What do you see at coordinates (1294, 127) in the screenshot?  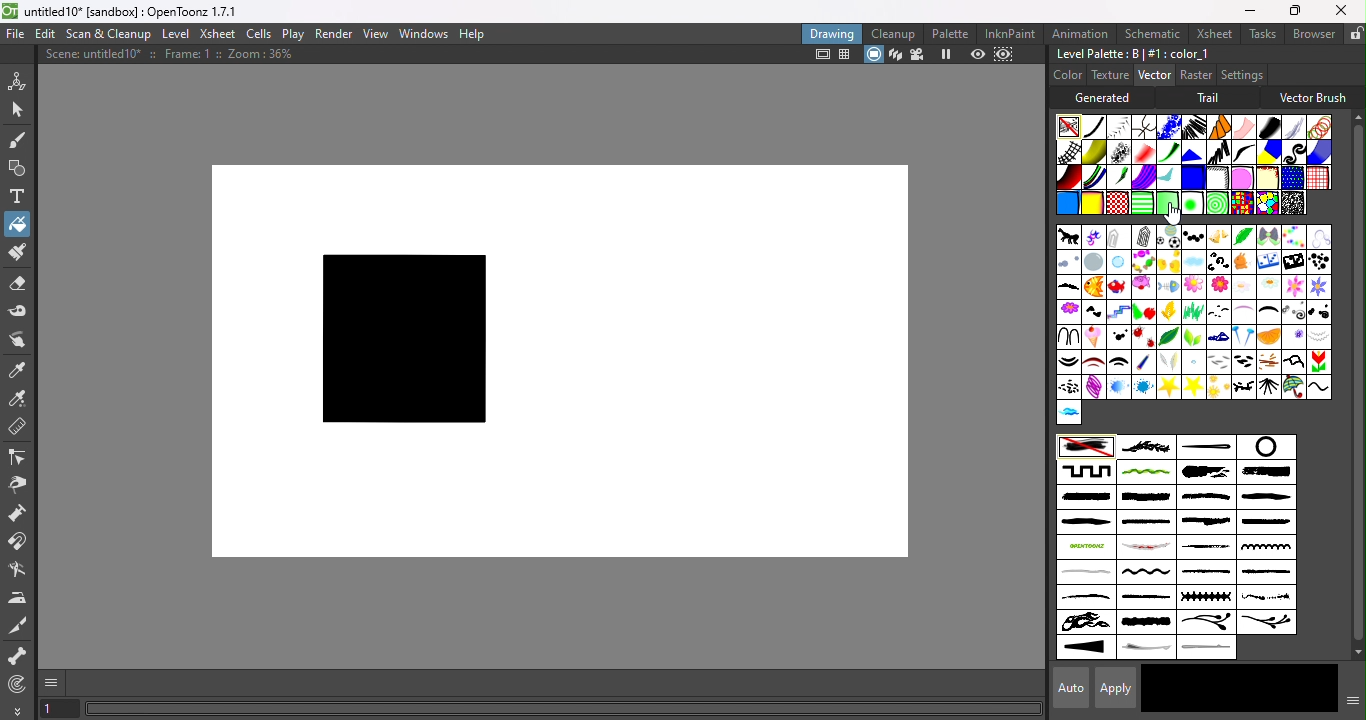 I see `Fuzz` at bounding box center [1294, 127].